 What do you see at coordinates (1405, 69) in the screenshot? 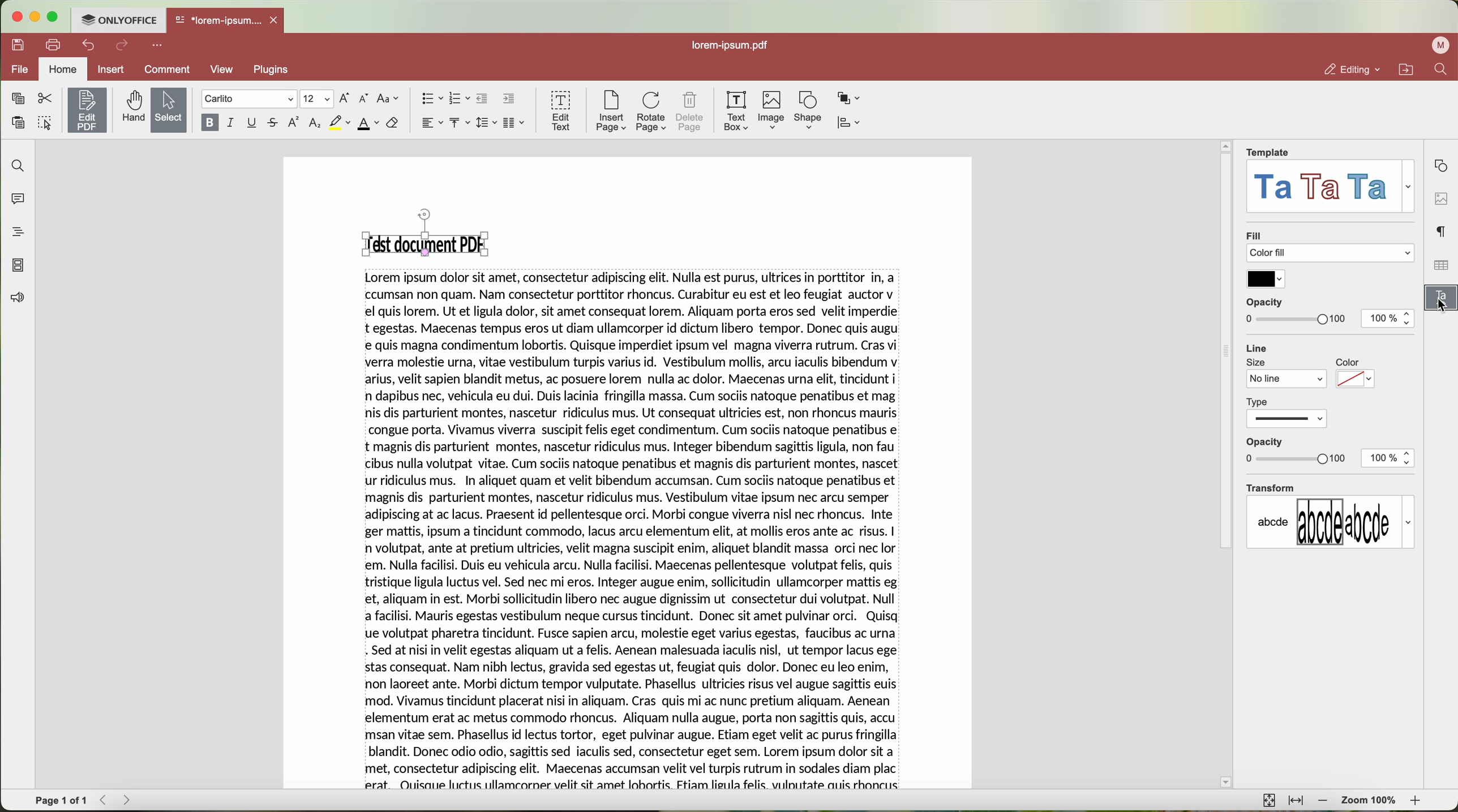
I see `open file location` at bounding box center [1405, 69].